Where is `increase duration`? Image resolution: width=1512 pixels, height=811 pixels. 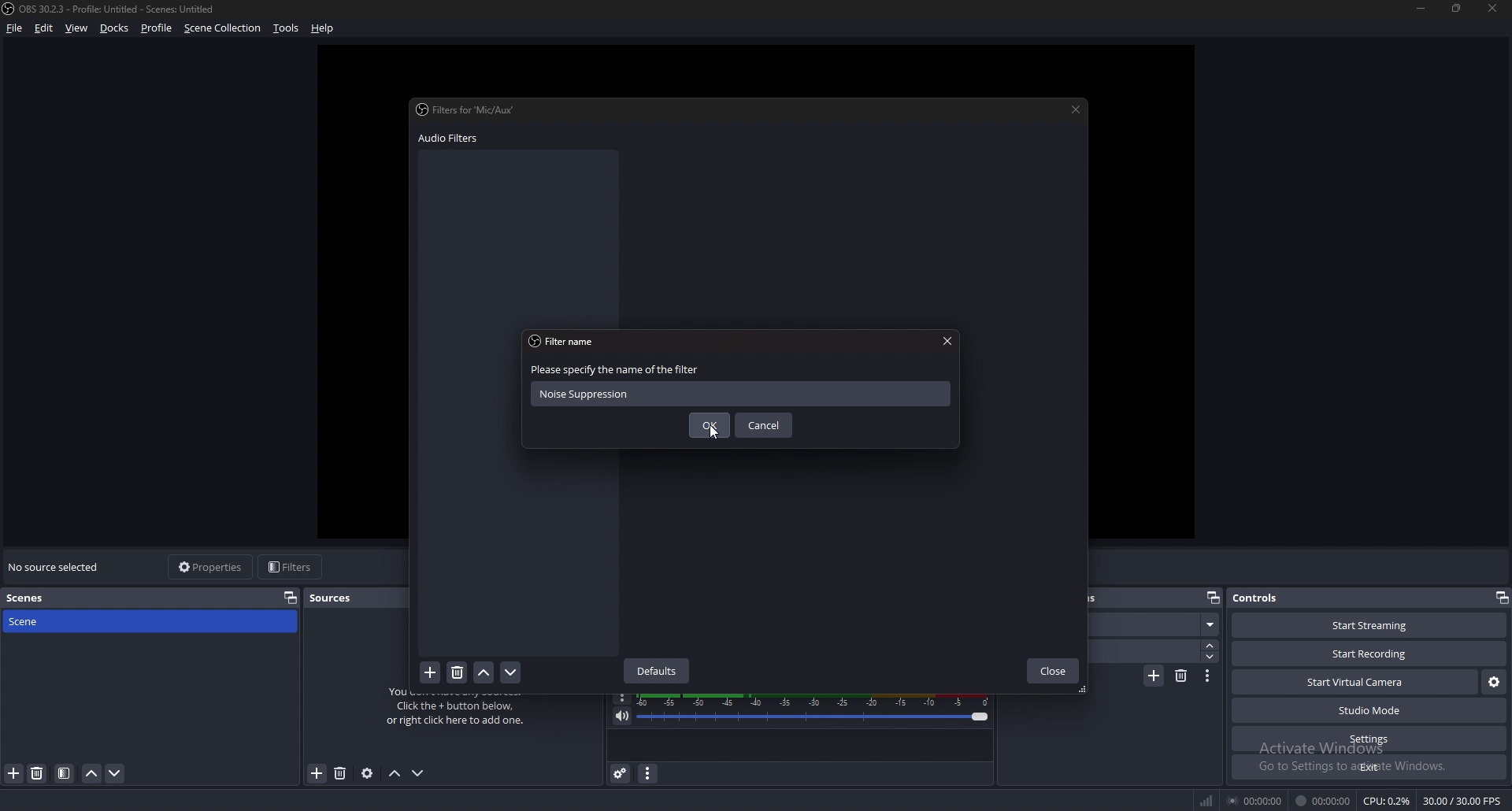
increase duration is located at coordinates (1210, 645).